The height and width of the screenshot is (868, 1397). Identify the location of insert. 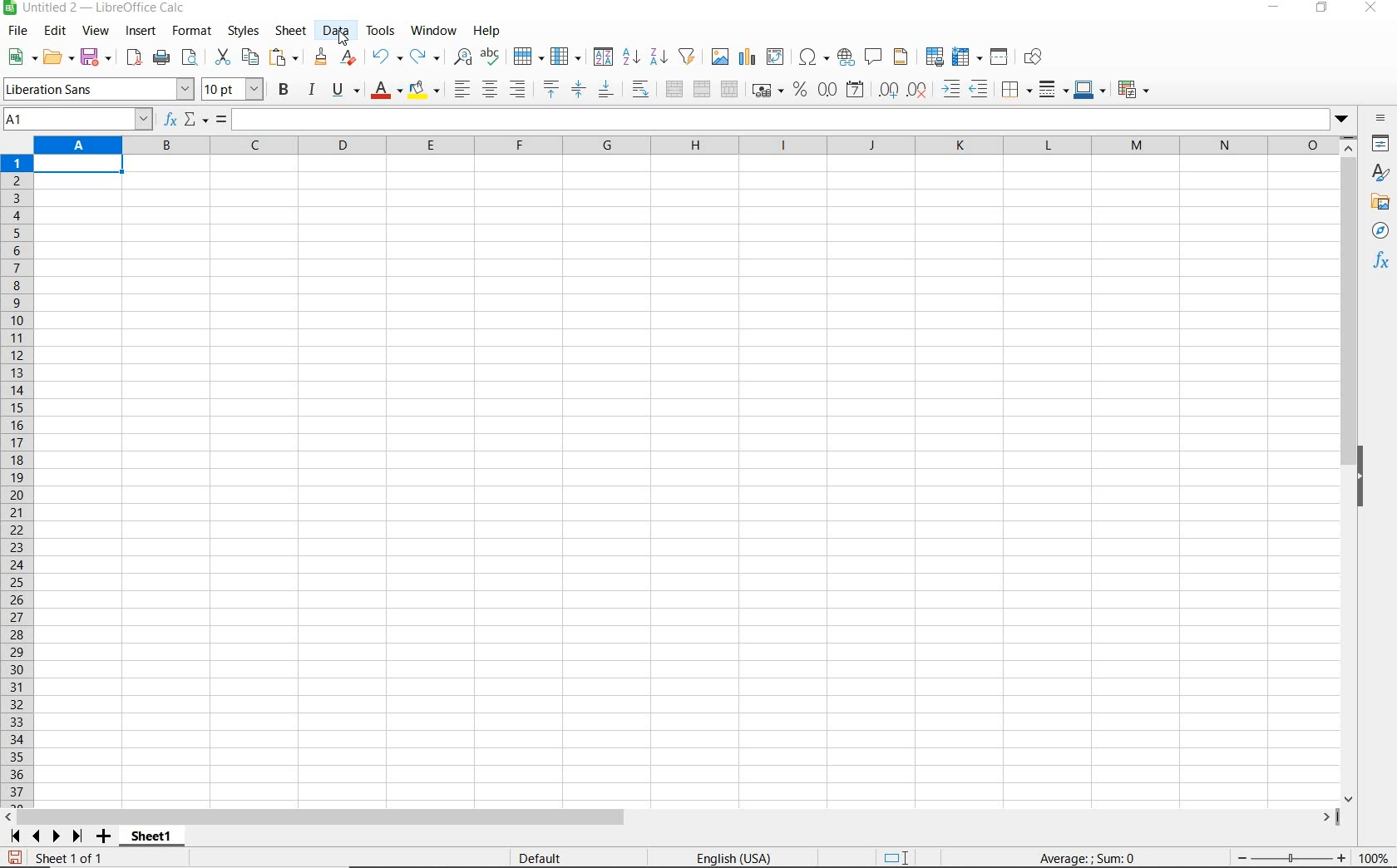
(140, 32).